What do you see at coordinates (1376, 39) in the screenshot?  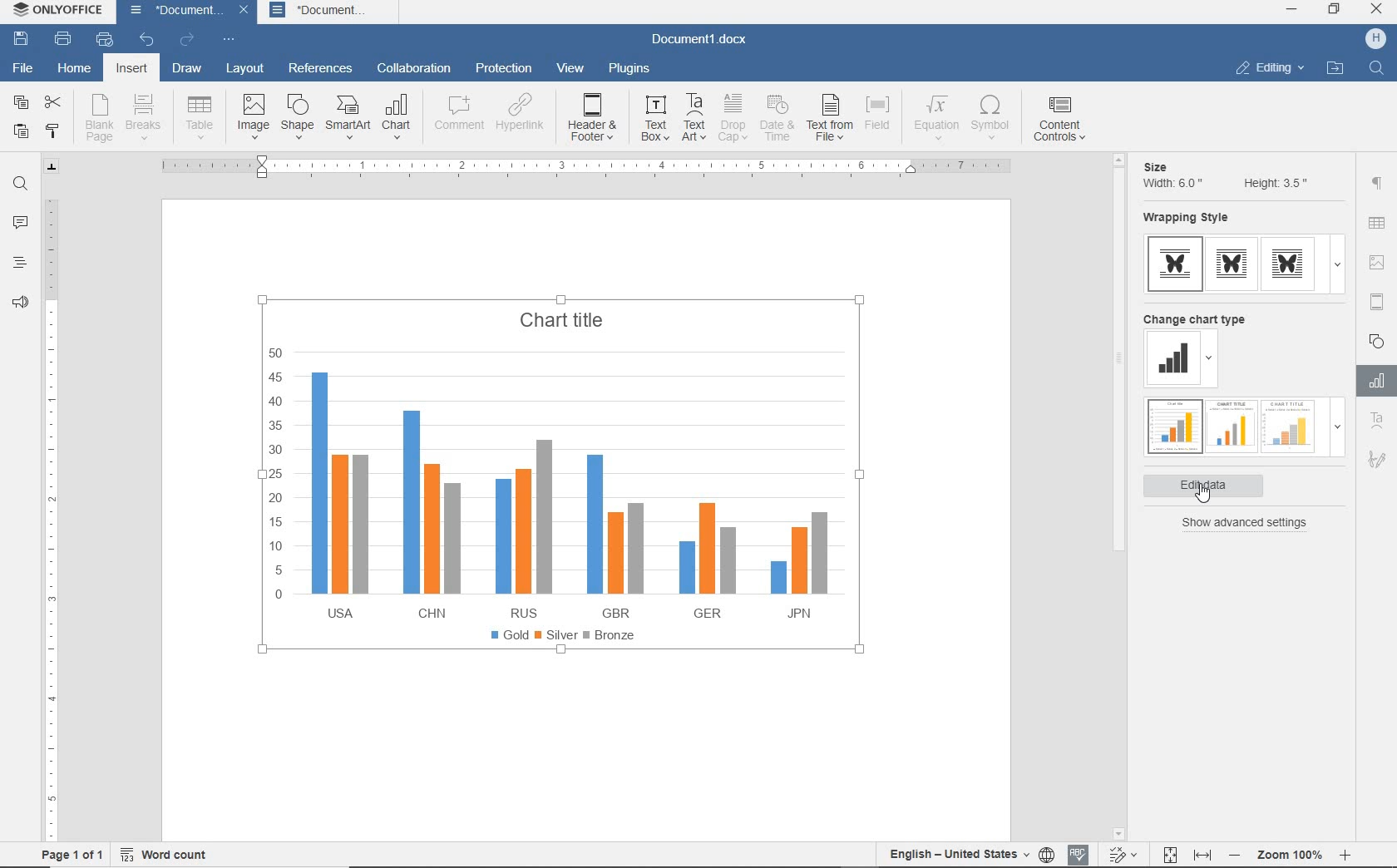 I see `hp` at bounding box center [1376, 39].